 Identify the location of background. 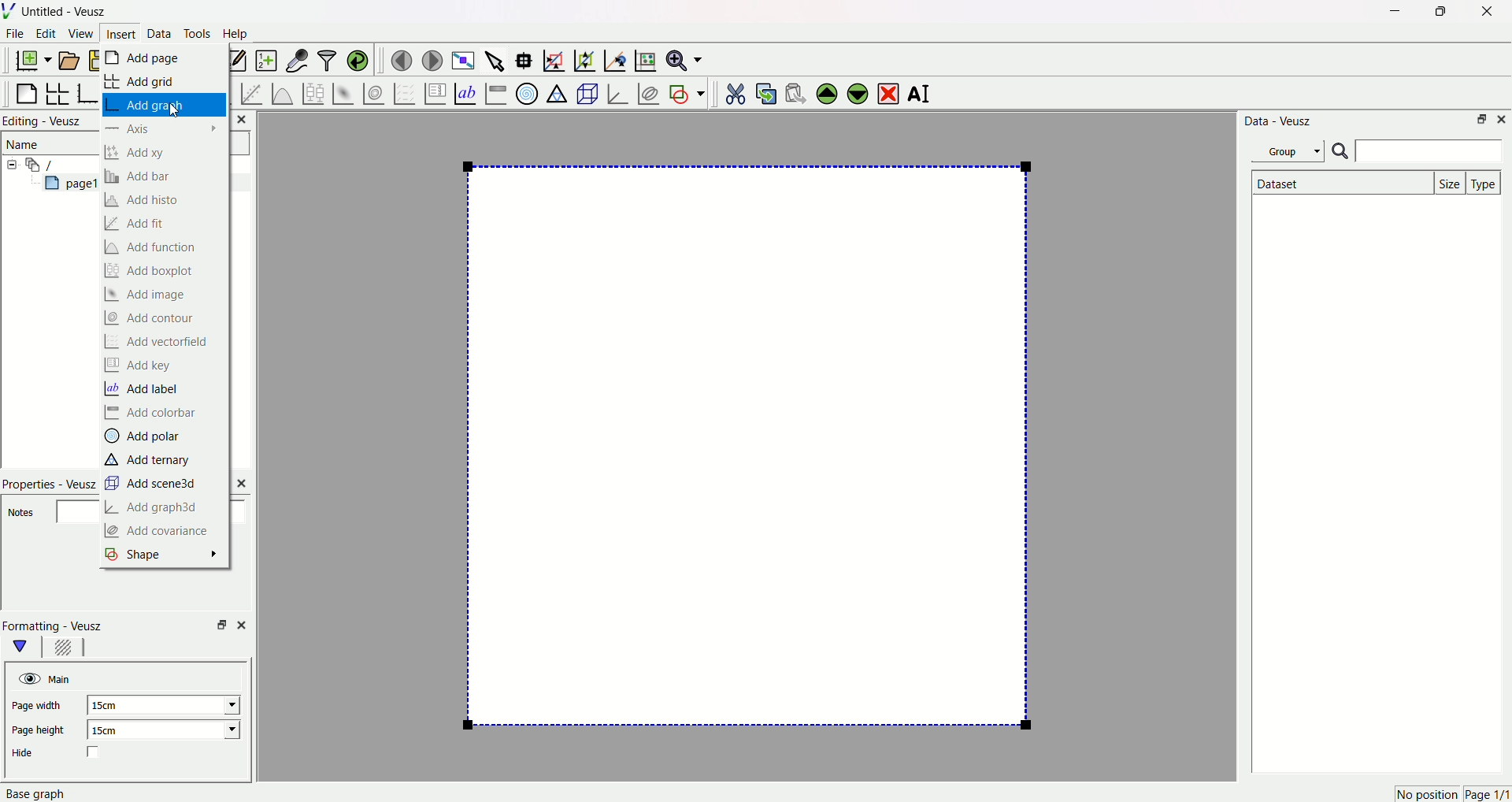
(64, 649).